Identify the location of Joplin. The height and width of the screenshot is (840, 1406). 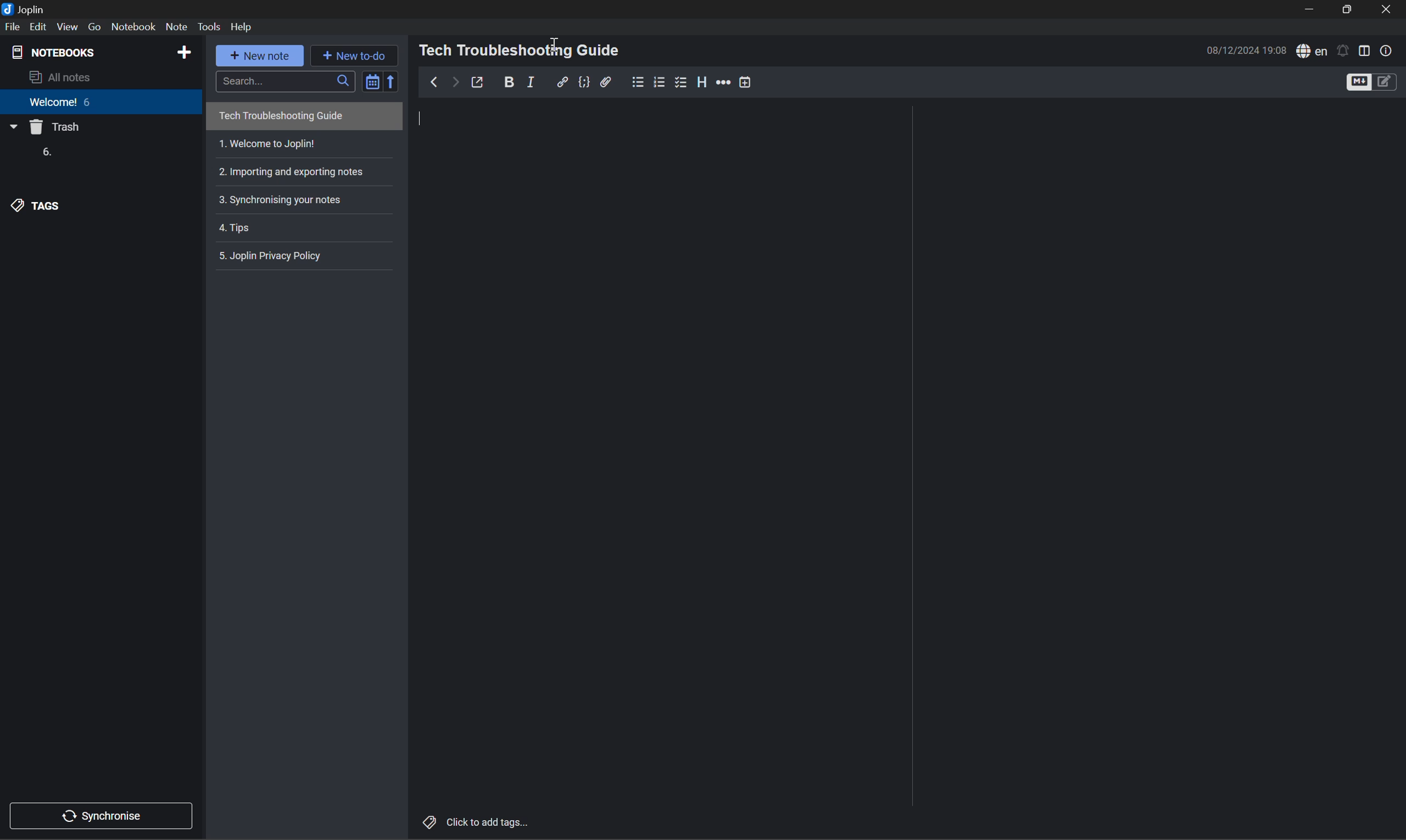
(25, 7).